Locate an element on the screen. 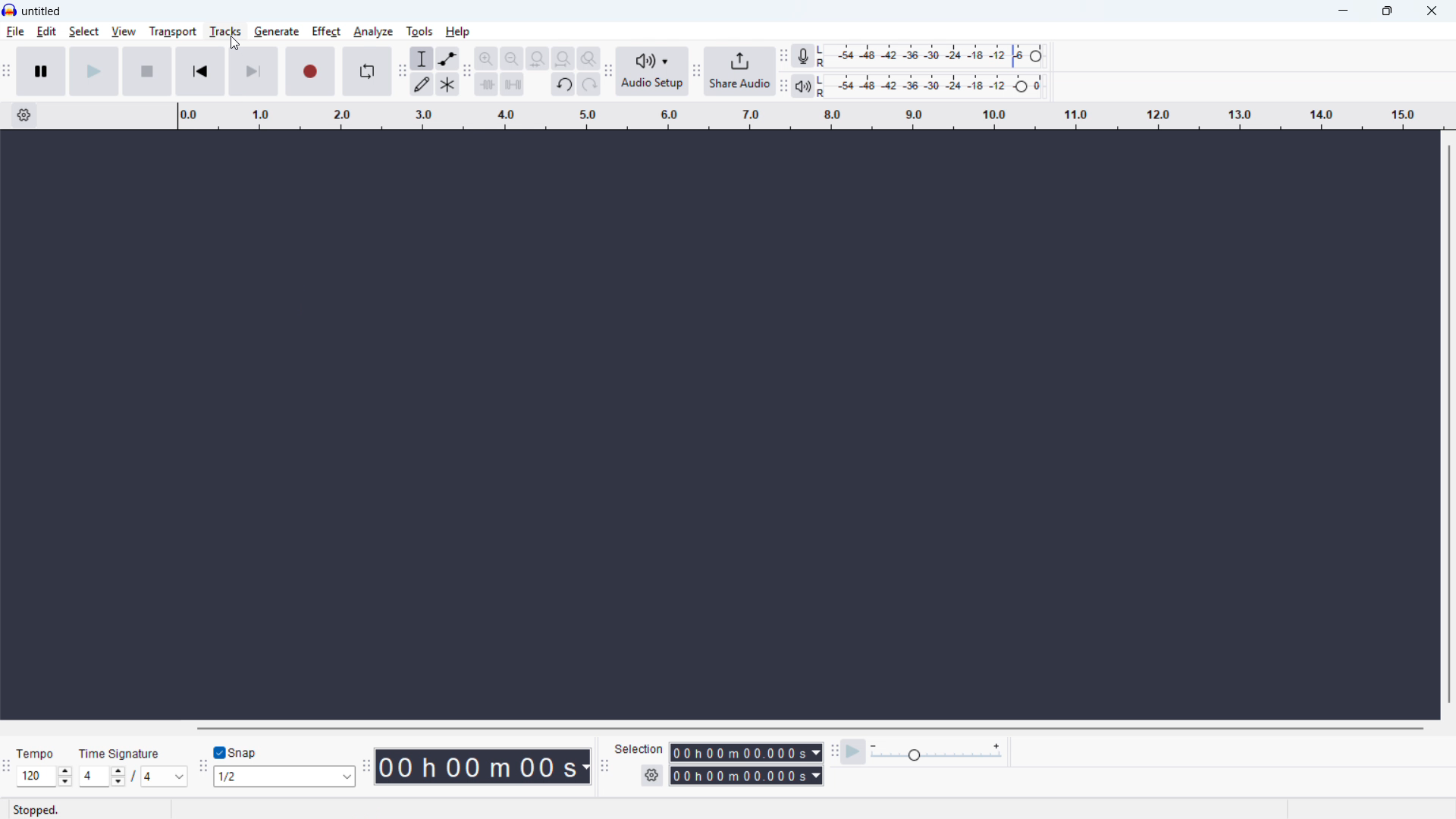  Tools  is located at coordinates (419, 31).